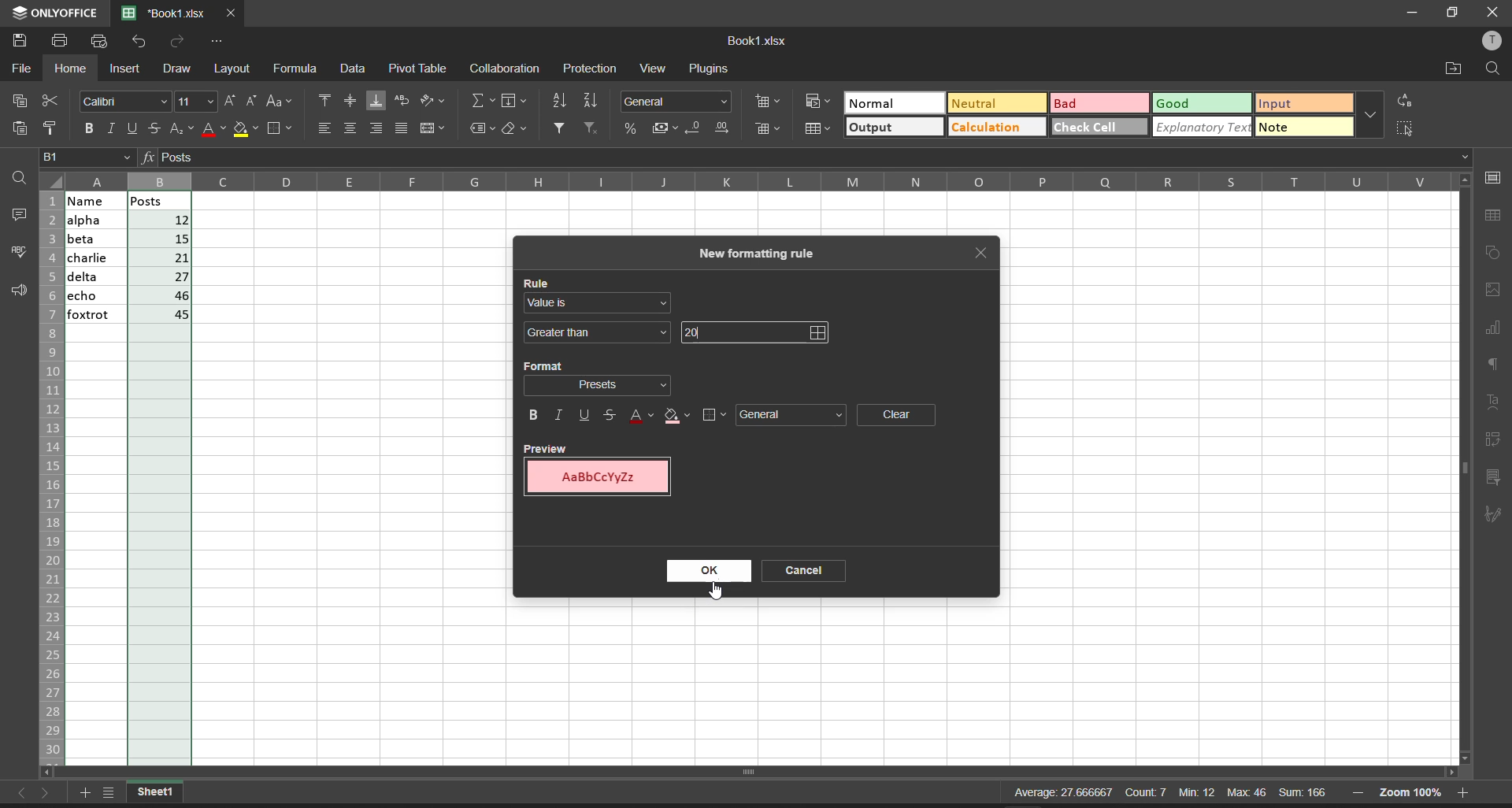 The width and height of the screenshot is (1512, 808). Describe the element at coordinates (517, 127) in the screenshot. I see `clear` at that location.